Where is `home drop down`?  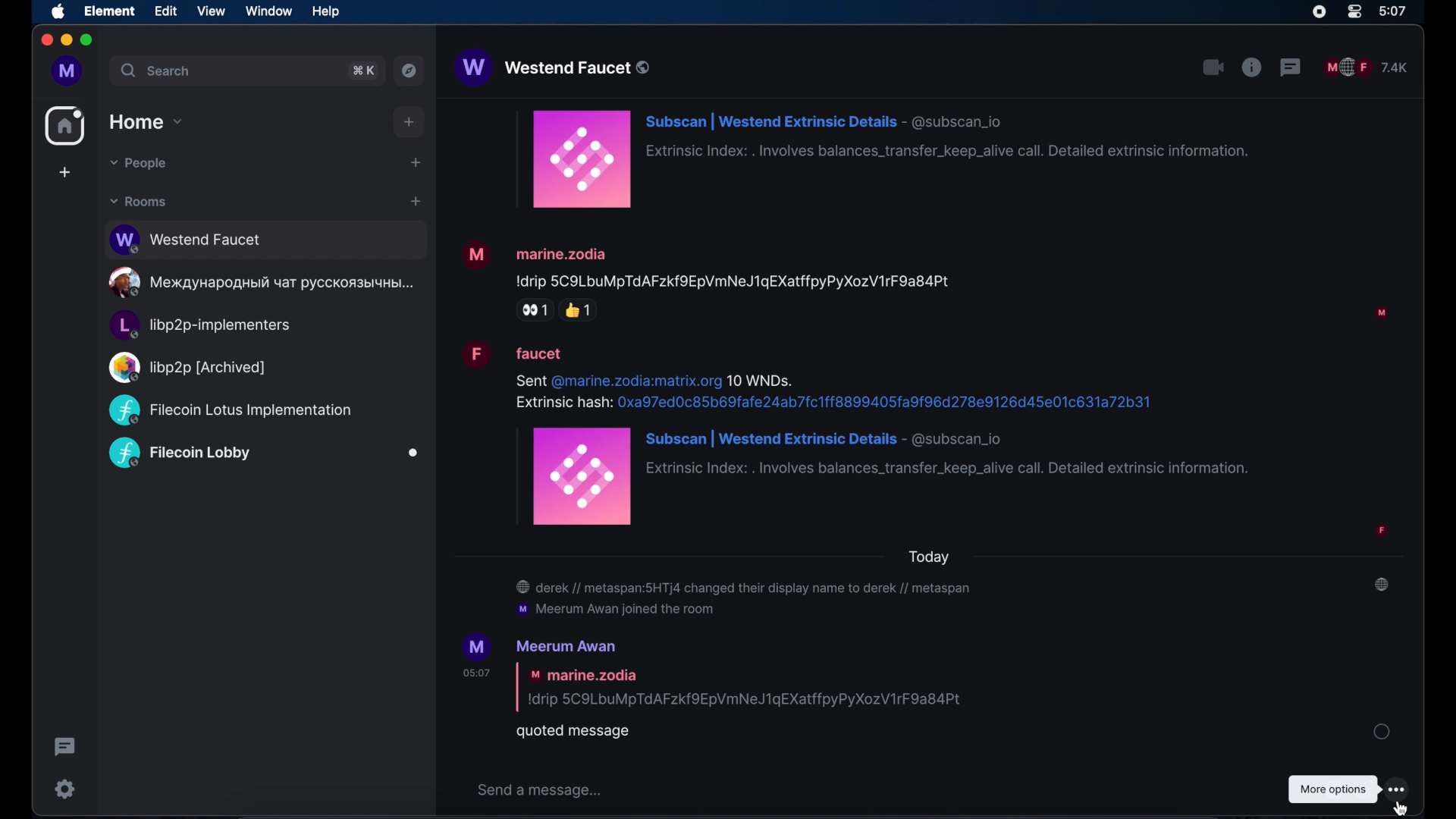
home drop down is located at coordinates (146, 121).